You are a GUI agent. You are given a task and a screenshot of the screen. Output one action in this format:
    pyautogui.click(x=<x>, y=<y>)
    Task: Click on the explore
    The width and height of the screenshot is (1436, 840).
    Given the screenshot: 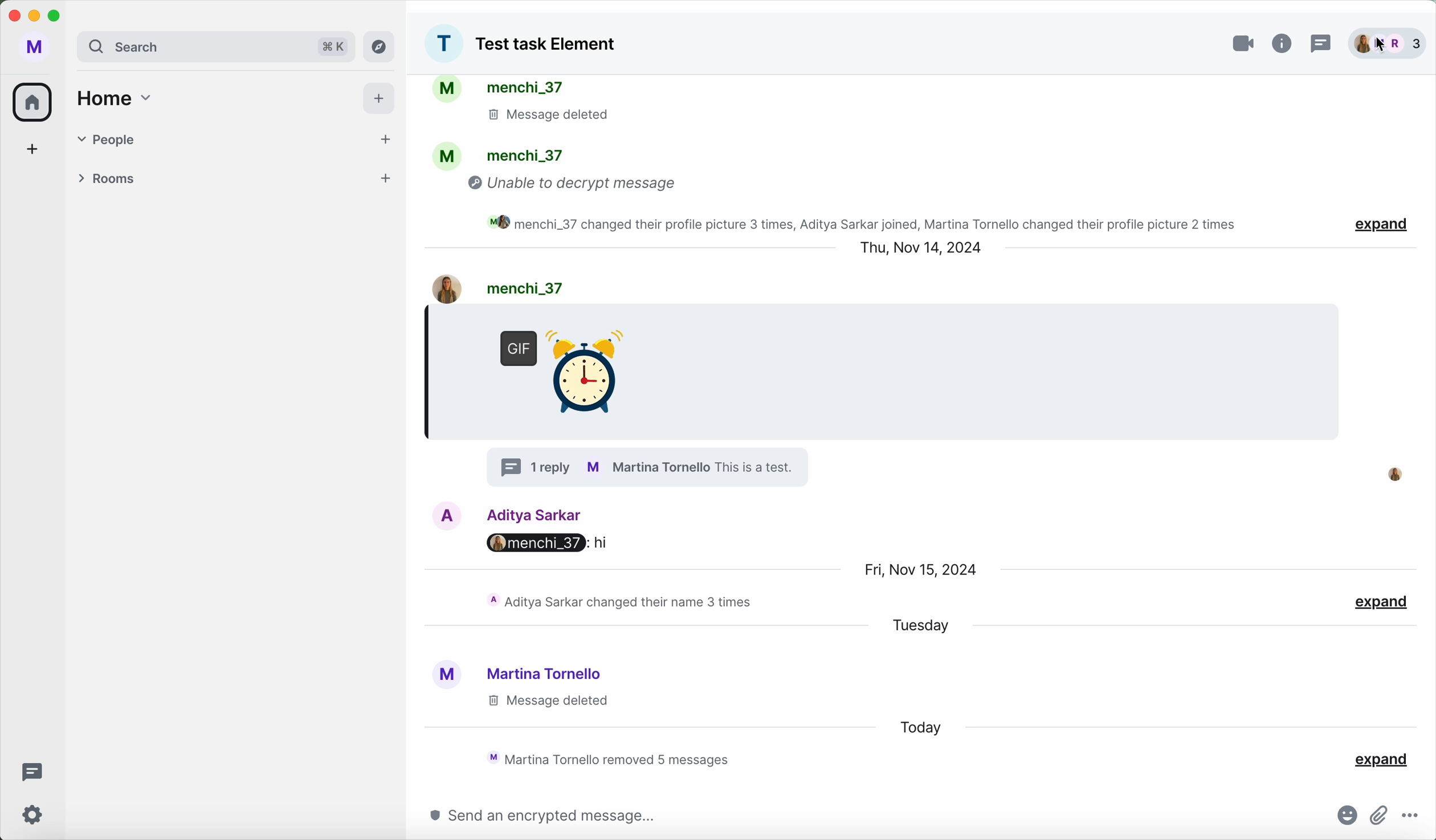 What is the action you would take?
    pyautogui.click(x=380, y=46)
    